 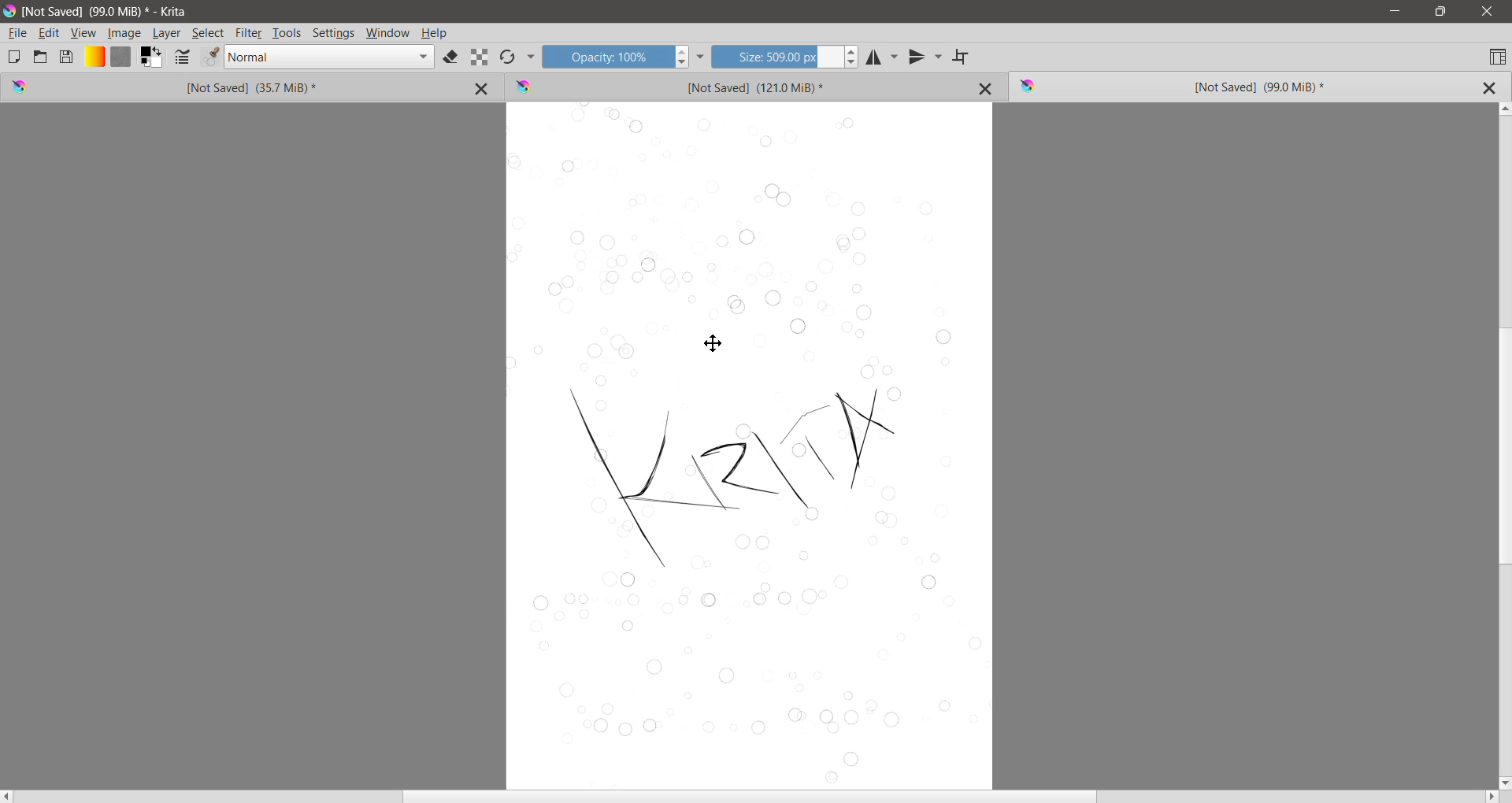 I want to click on Selection, so click(x=750, y=447).